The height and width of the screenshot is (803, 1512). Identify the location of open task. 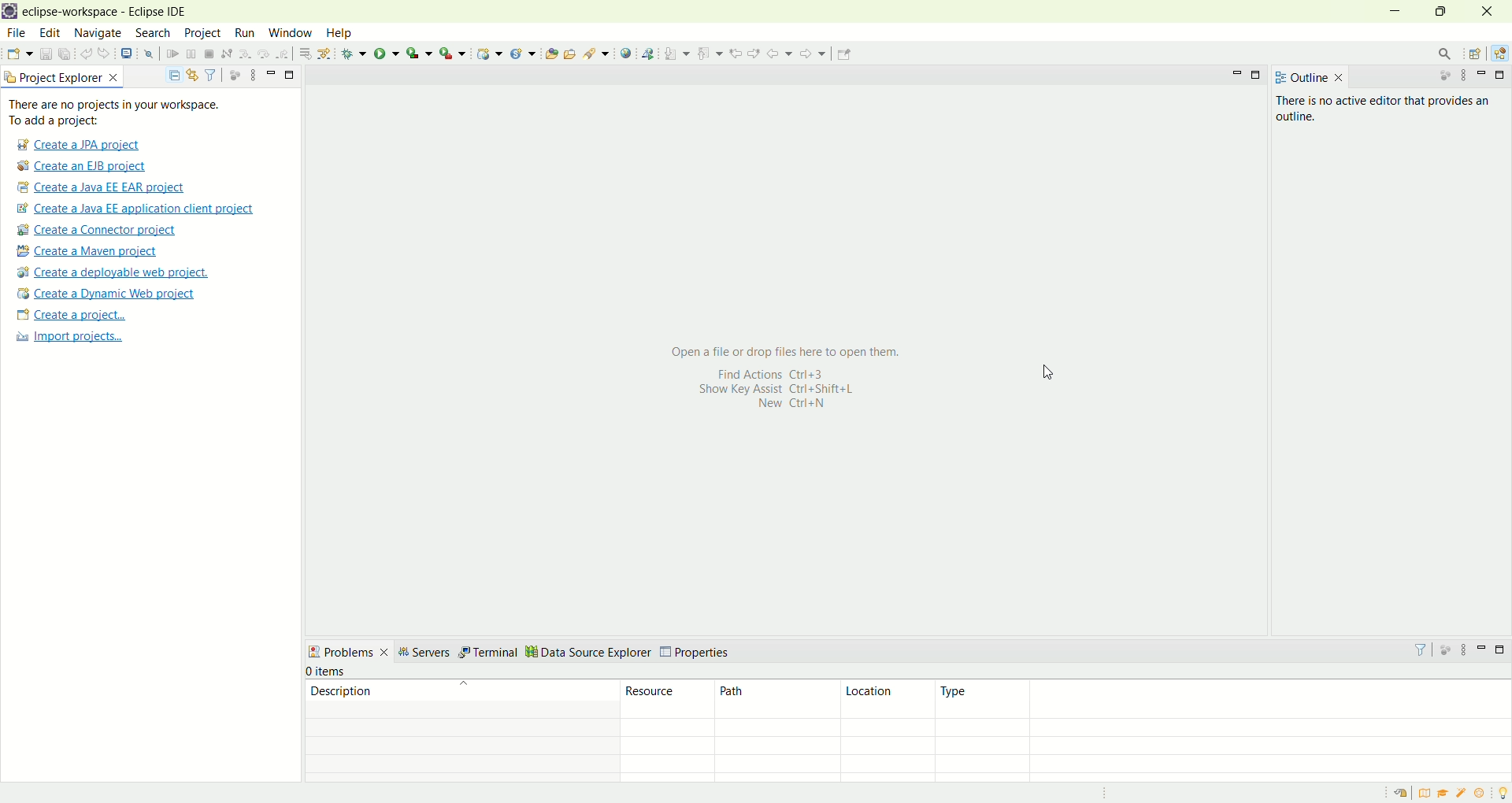
(571, 54).